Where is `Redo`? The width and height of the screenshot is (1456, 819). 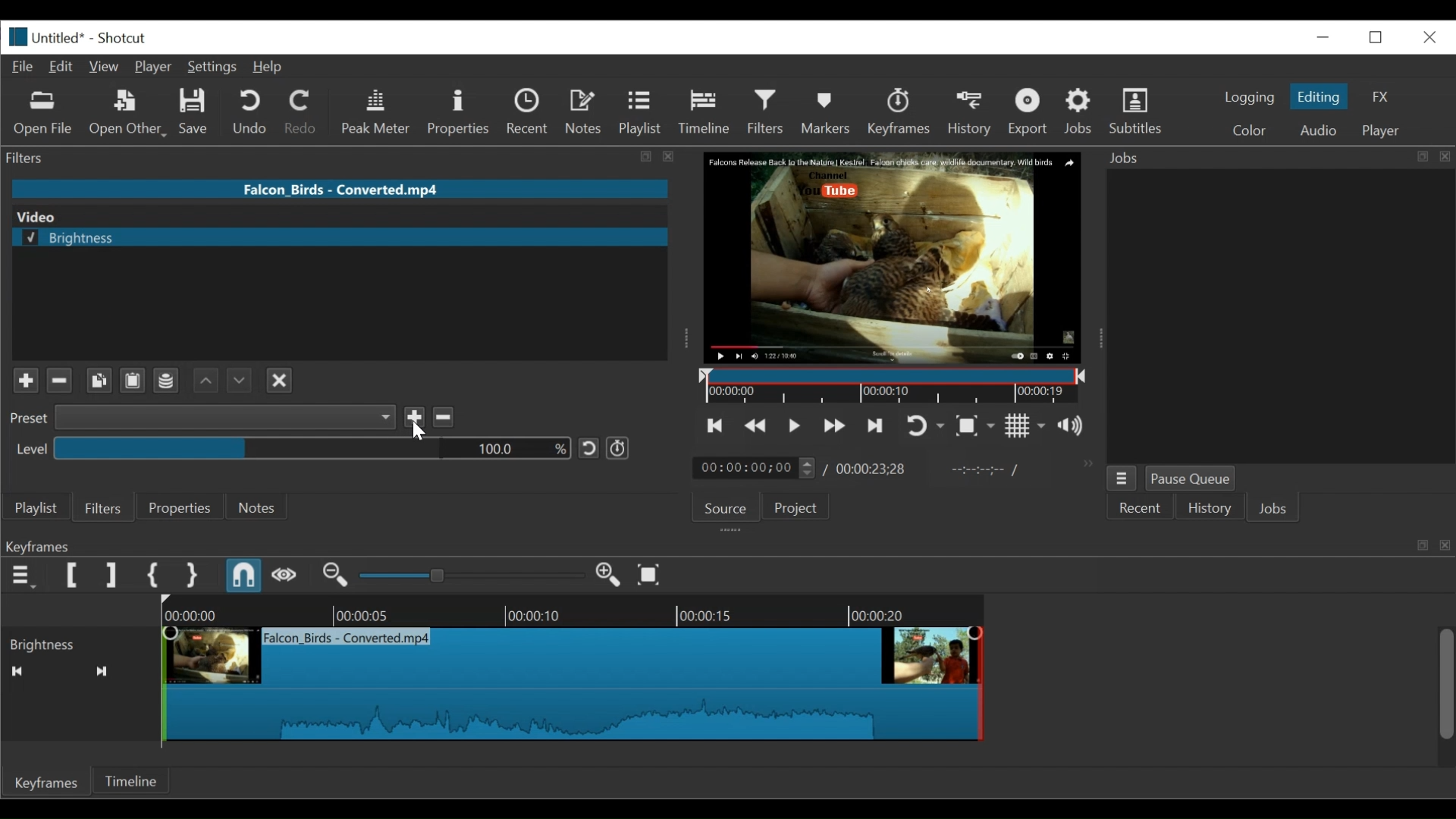
Redo is located at coordinates (304, 113).